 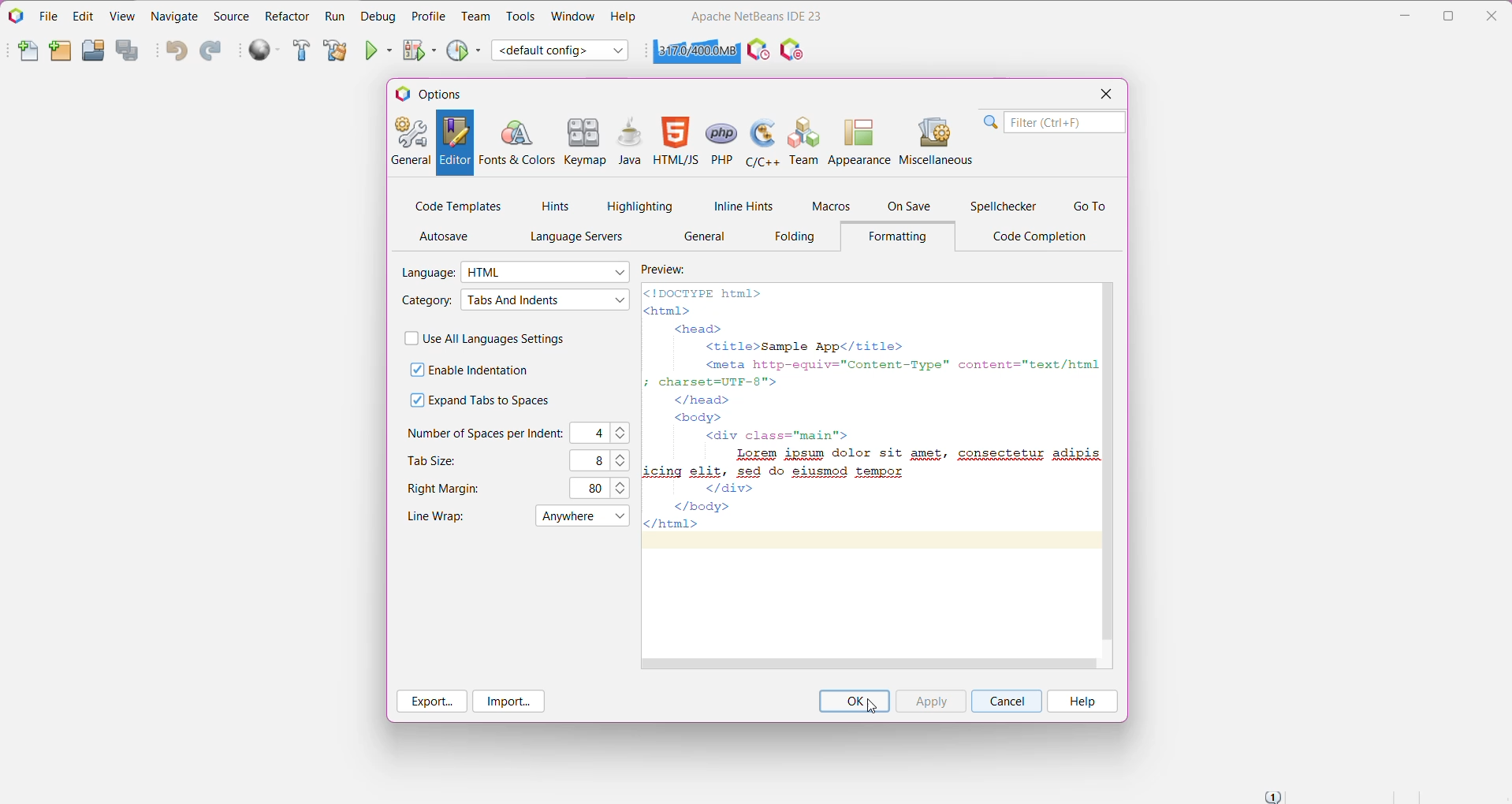 What do you see at coordinates (434, 460) in the screenshot?
I see `Tab Size` at bounding box center [434, 460].